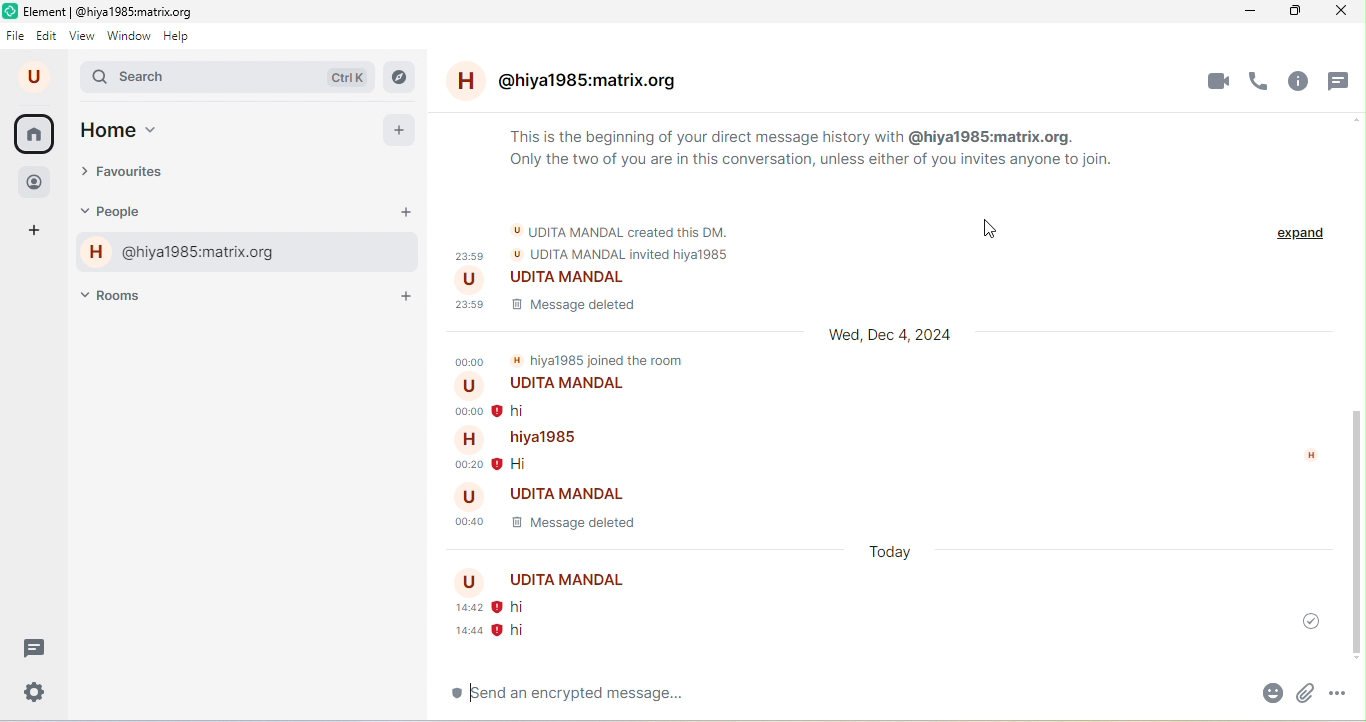 Image resolution: width=1366 pixels, height=722 pixels. What do you see at coordinates (229, 79) in the screenshot?
I see `search` at bounding box center [229, 79].